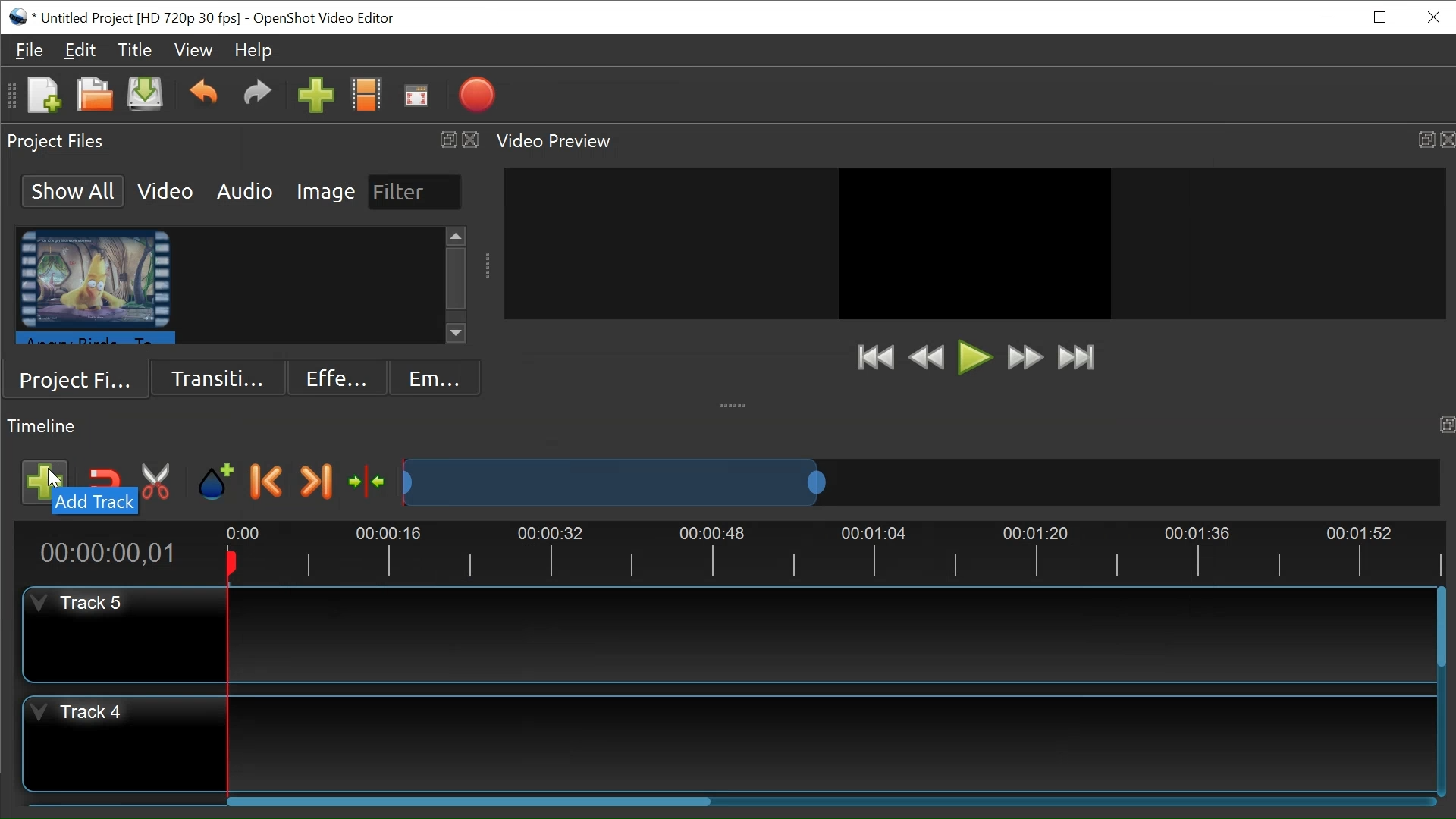 This screenshot has width=1456, height=819. Describe the element at coordinates (339, 378) in the screenshot. I see `Effects` at that location.